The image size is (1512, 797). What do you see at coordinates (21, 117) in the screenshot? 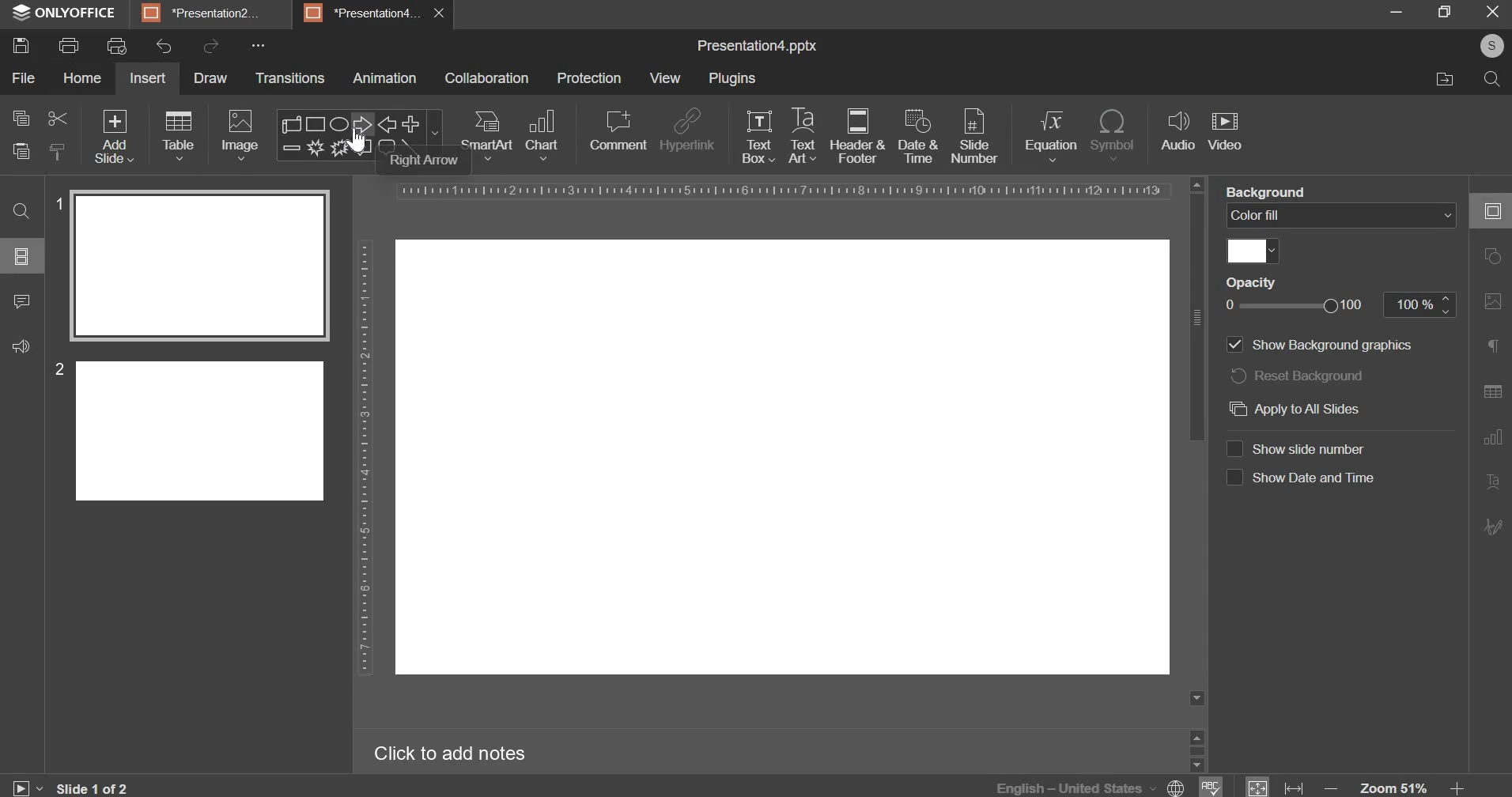
I see `copy` at bounding box center [21, 117].